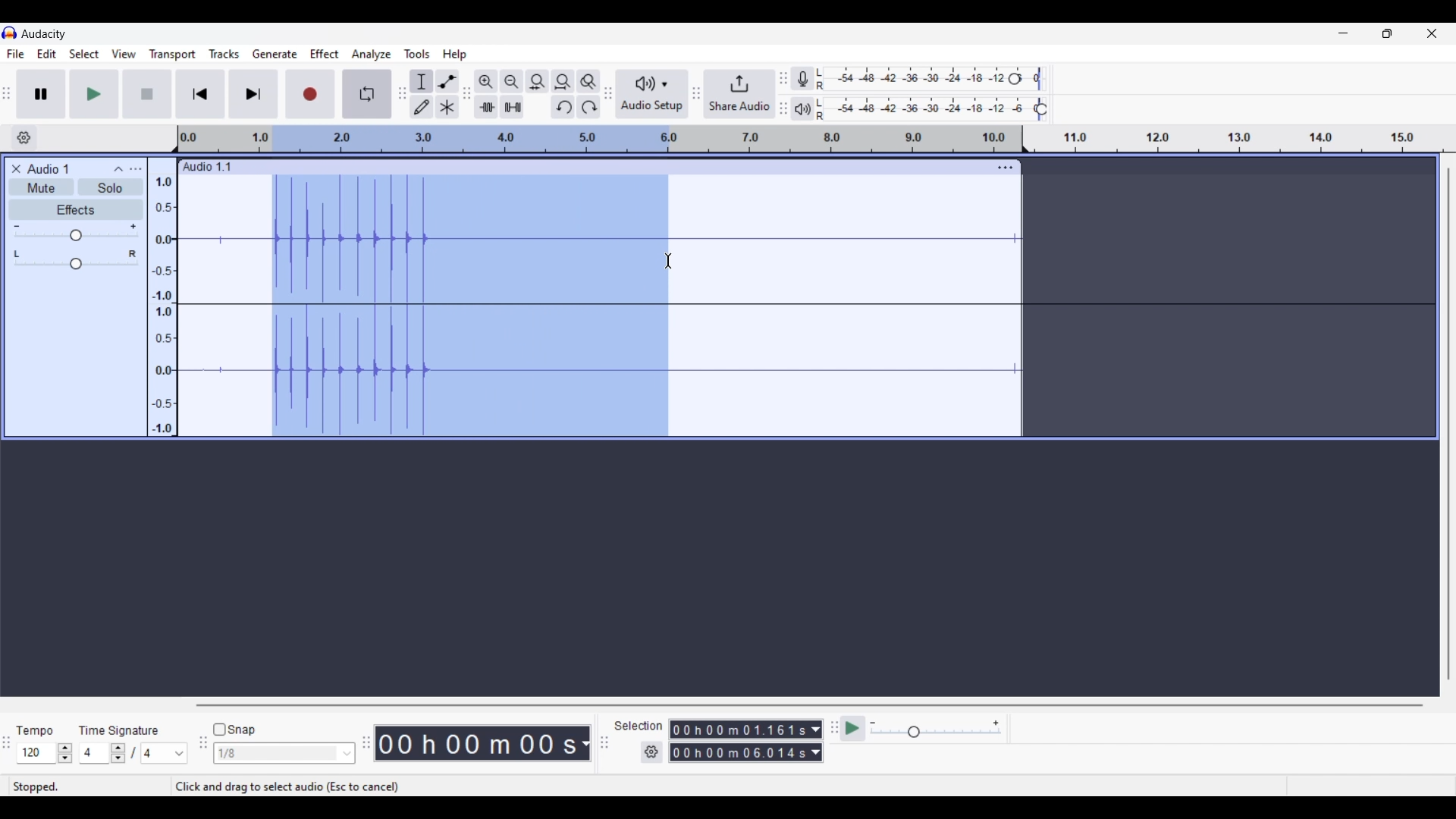  Describe the element at coordinates (37, 753) in the screenshot. I see `Type in tempo` at that location.